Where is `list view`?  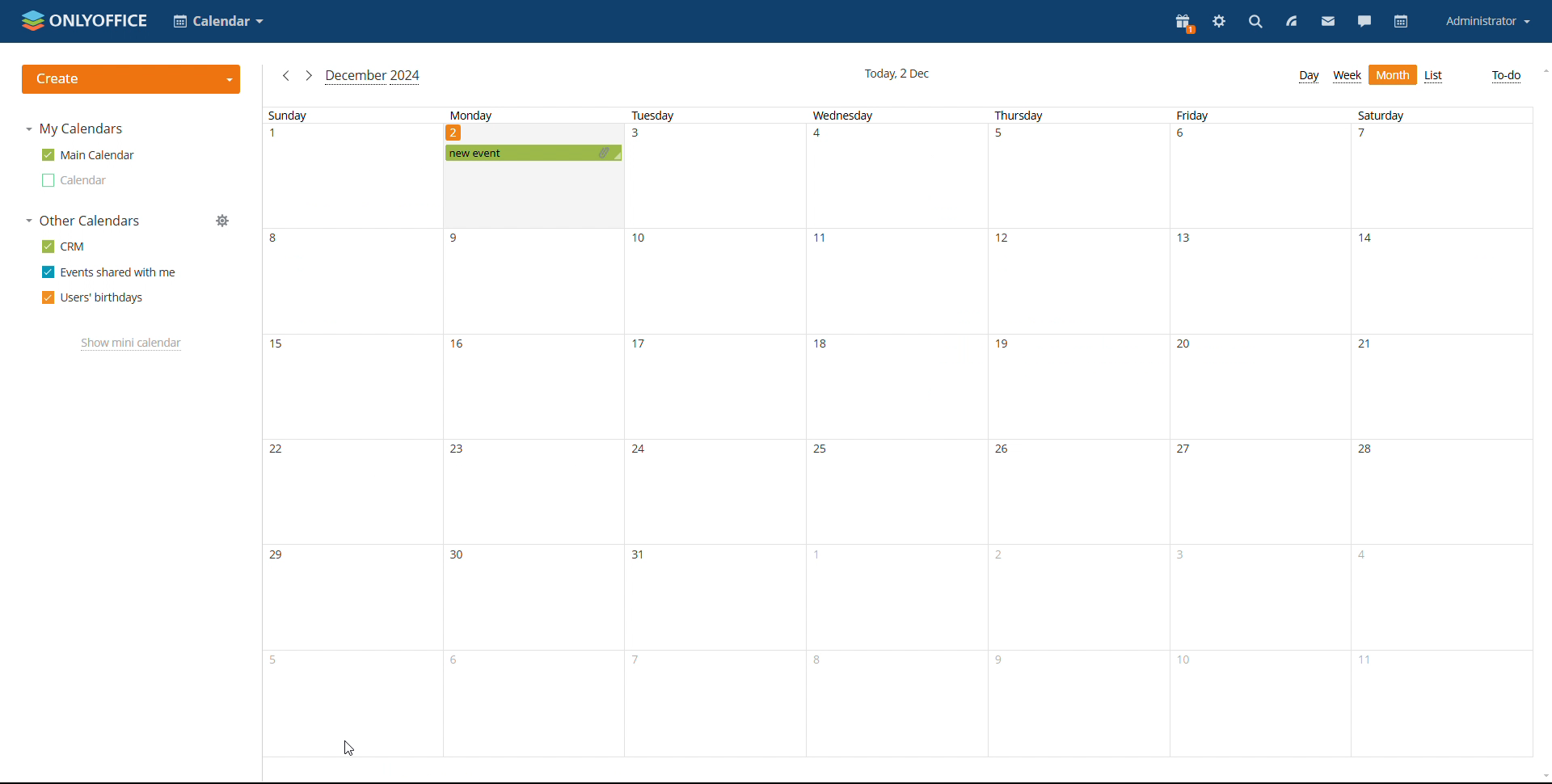
list view is located at coordinates (1435, 76).